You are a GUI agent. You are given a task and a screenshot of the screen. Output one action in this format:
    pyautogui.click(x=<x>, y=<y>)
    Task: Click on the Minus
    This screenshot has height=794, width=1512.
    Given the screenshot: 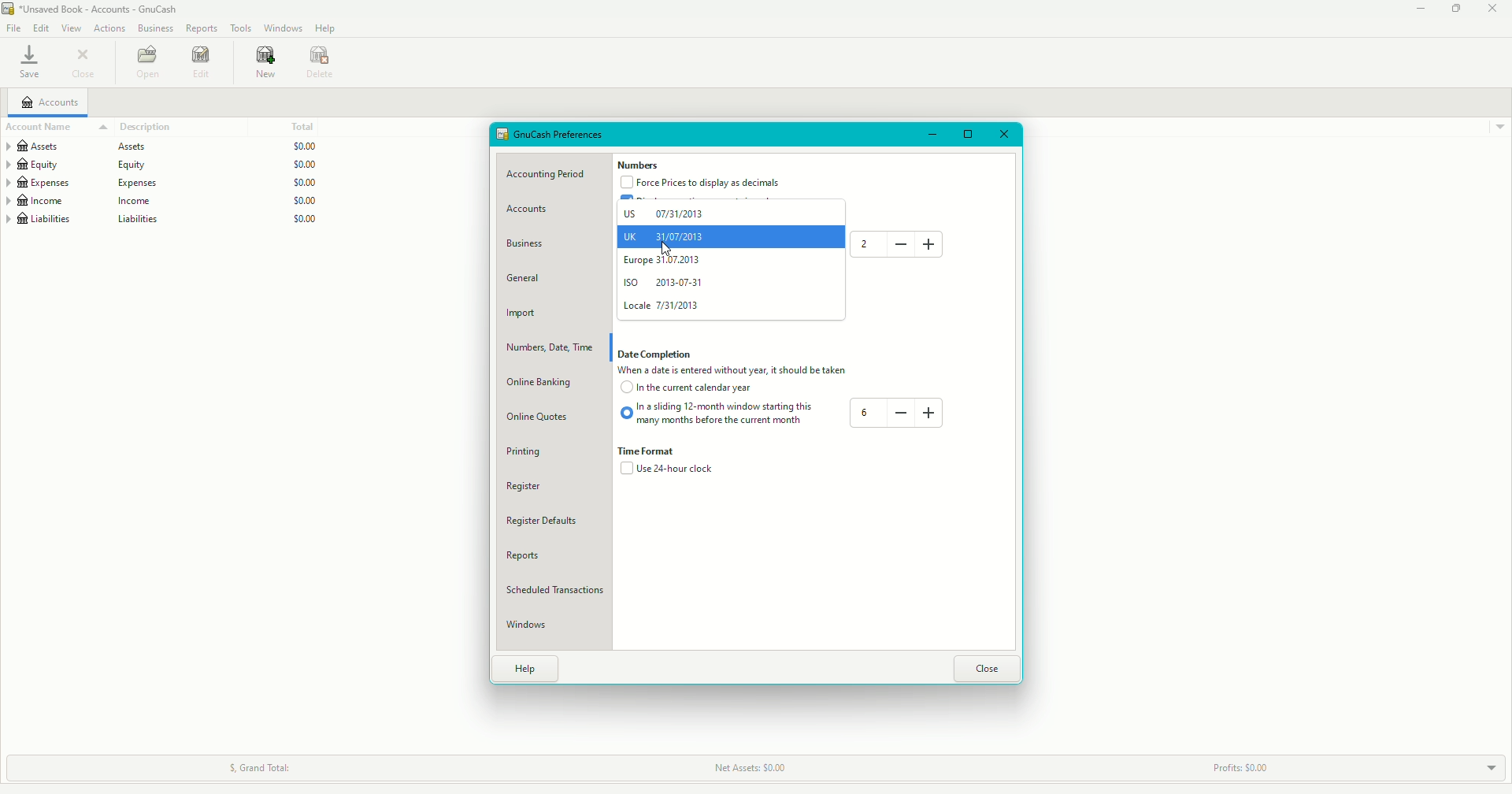 What is the action you would take?
    pyautogui.click(x=899, y=412)
    